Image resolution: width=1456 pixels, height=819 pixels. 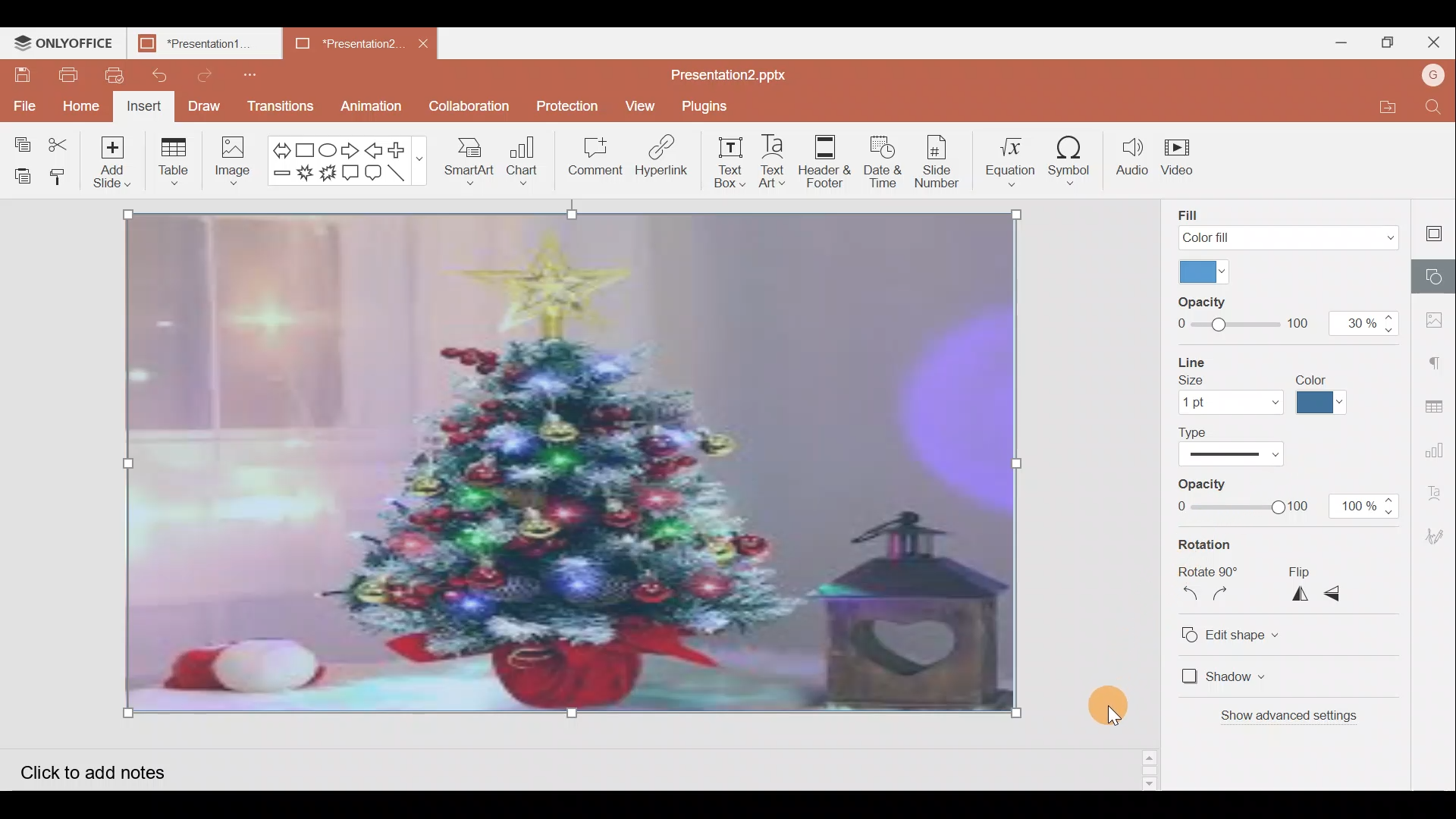 I want to click on SmartArt, so click(x=468, y=164).